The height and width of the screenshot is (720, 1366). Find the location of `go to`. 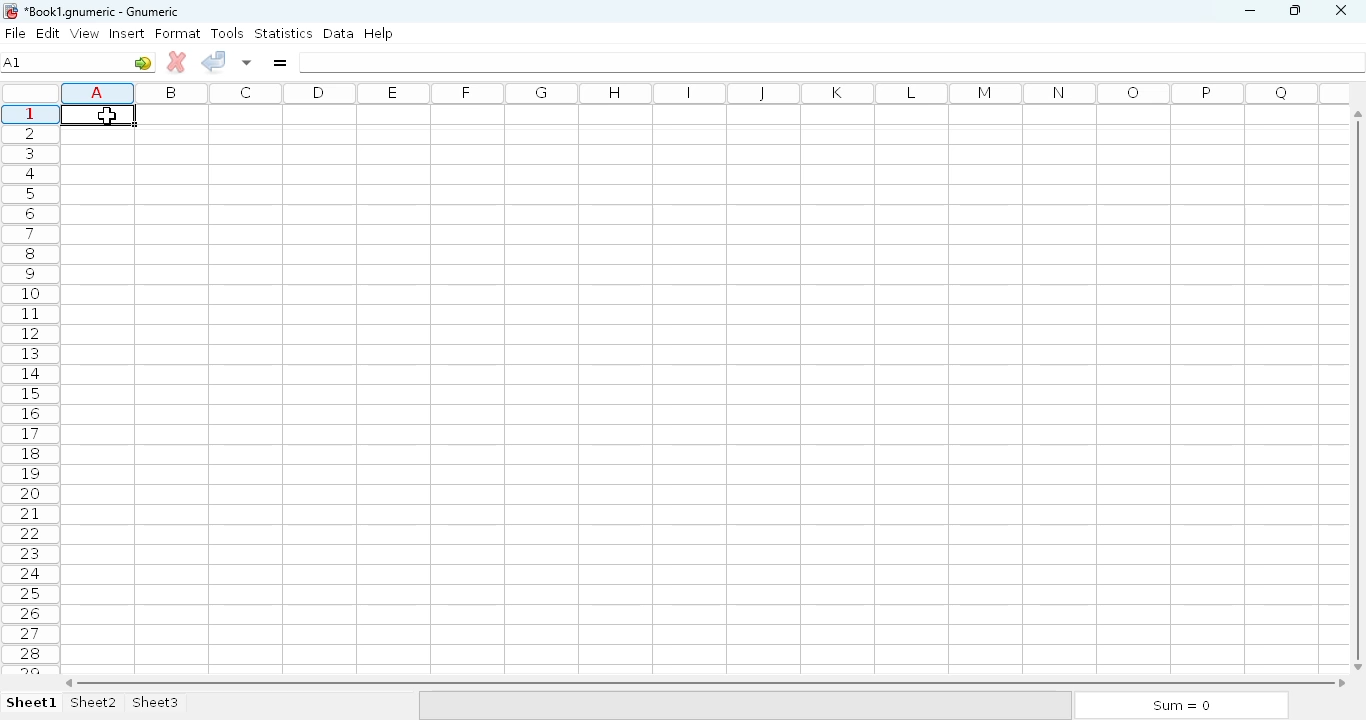

go to is located at coordinates (143, 62).